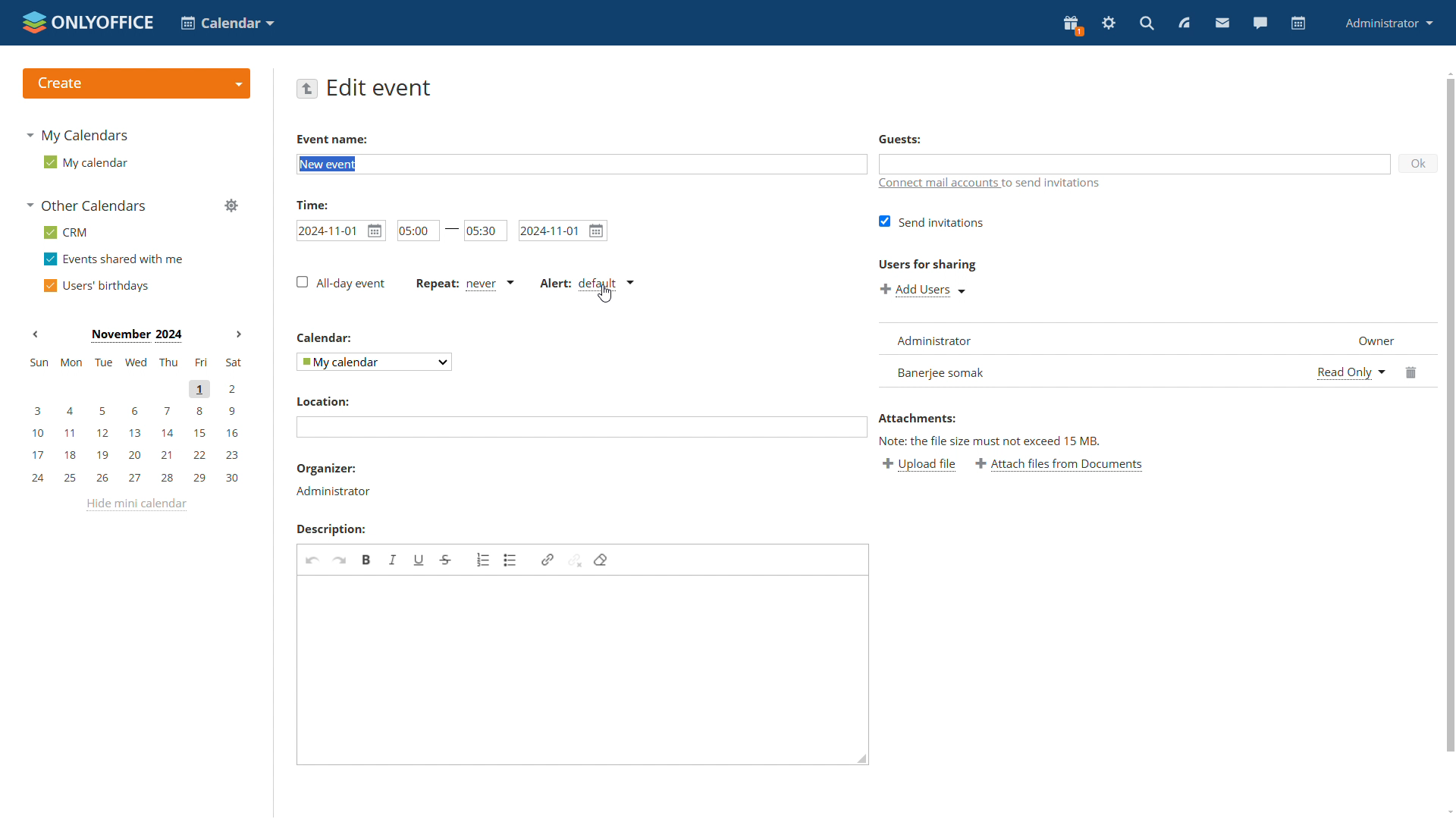  What do you see at coordinates (417, 231) in the screenshot?
I see `start time` at bounding box center [417, 231].